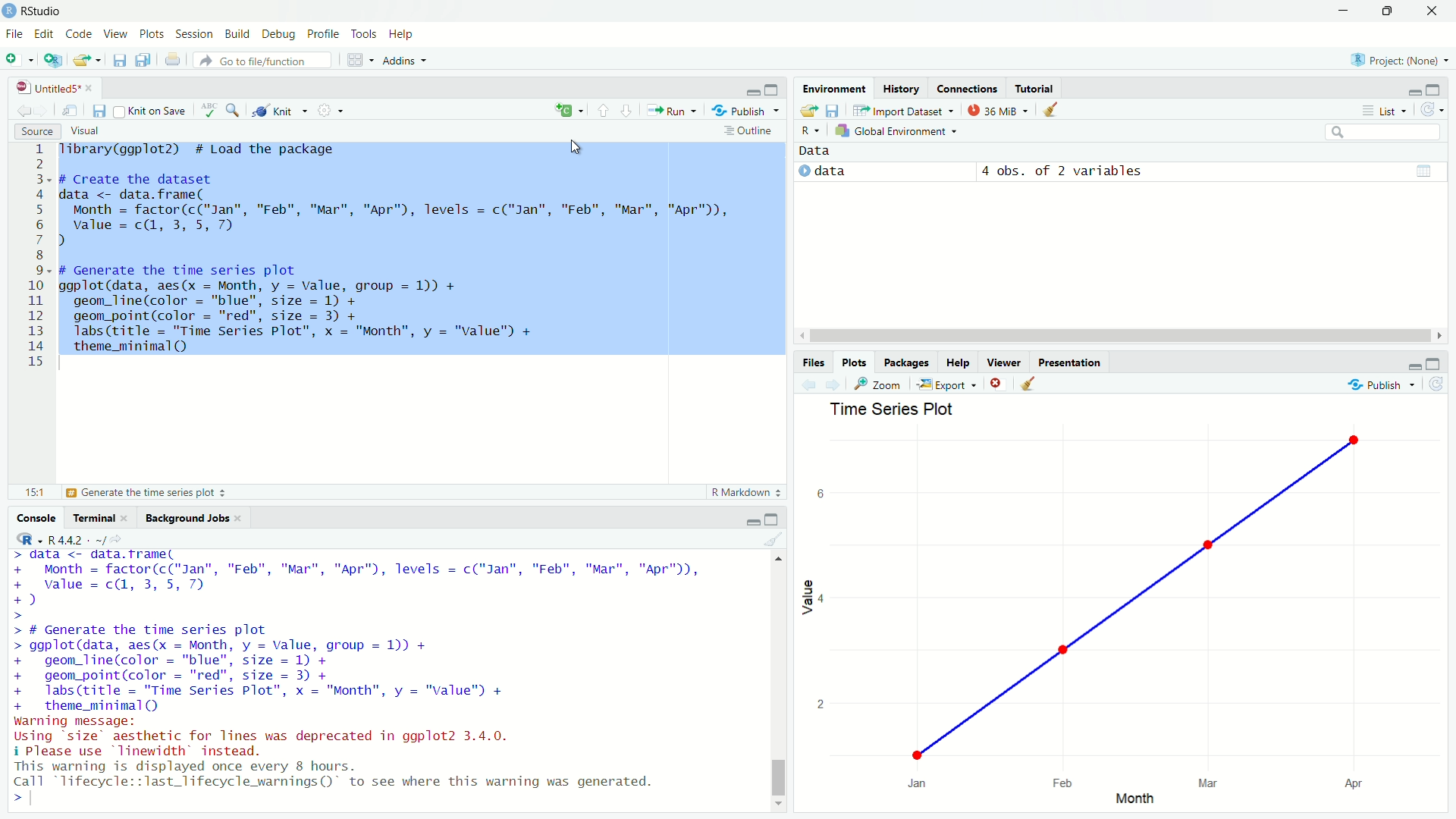 Image resolution: width=1456 pixels, height=819 pixels. Describe the element at coordinates (746, 494) in the screenshot. I see `R Markdown` at that location.